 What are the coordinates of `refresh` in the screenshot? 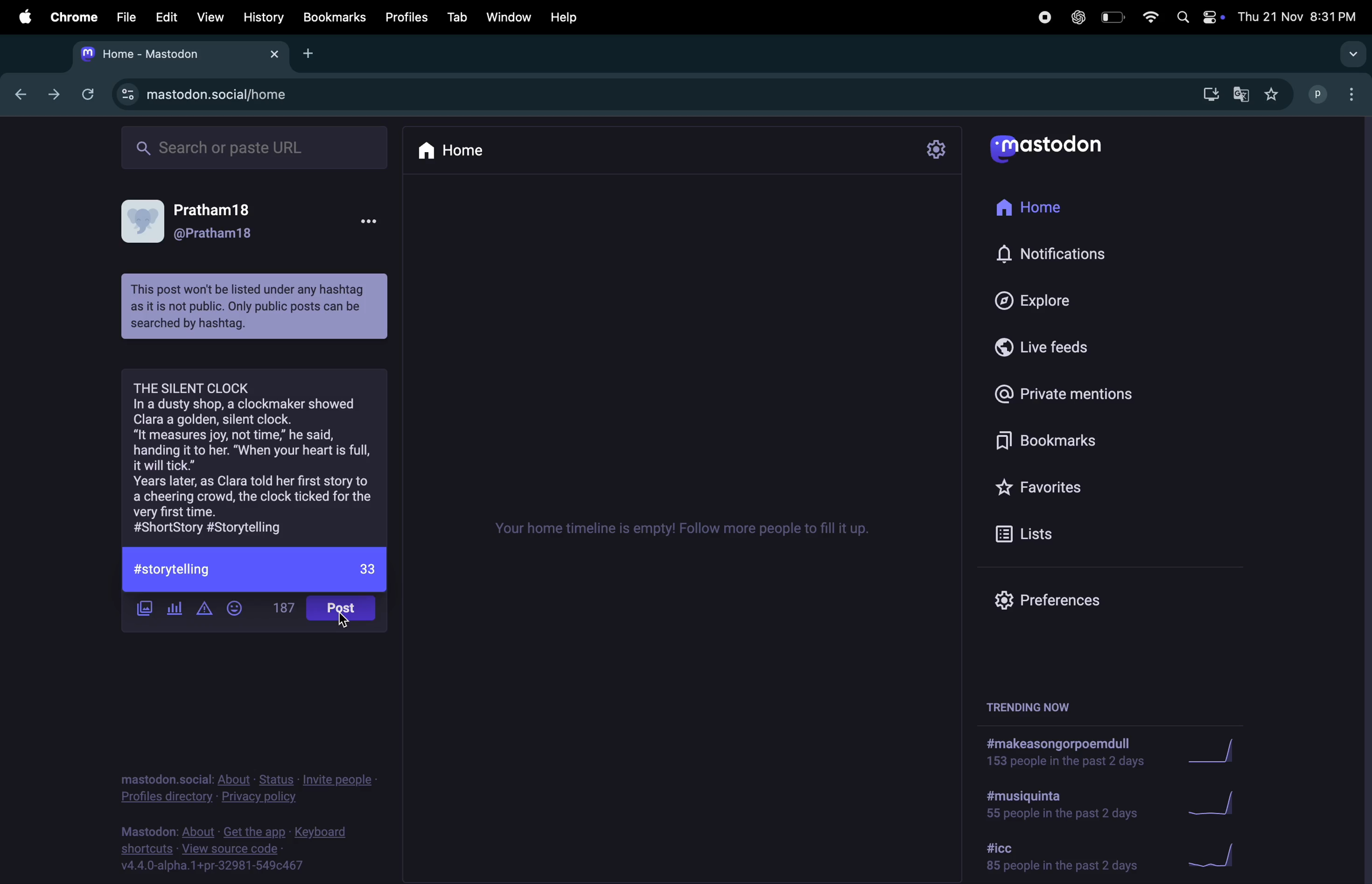 It's located at (83, 94).